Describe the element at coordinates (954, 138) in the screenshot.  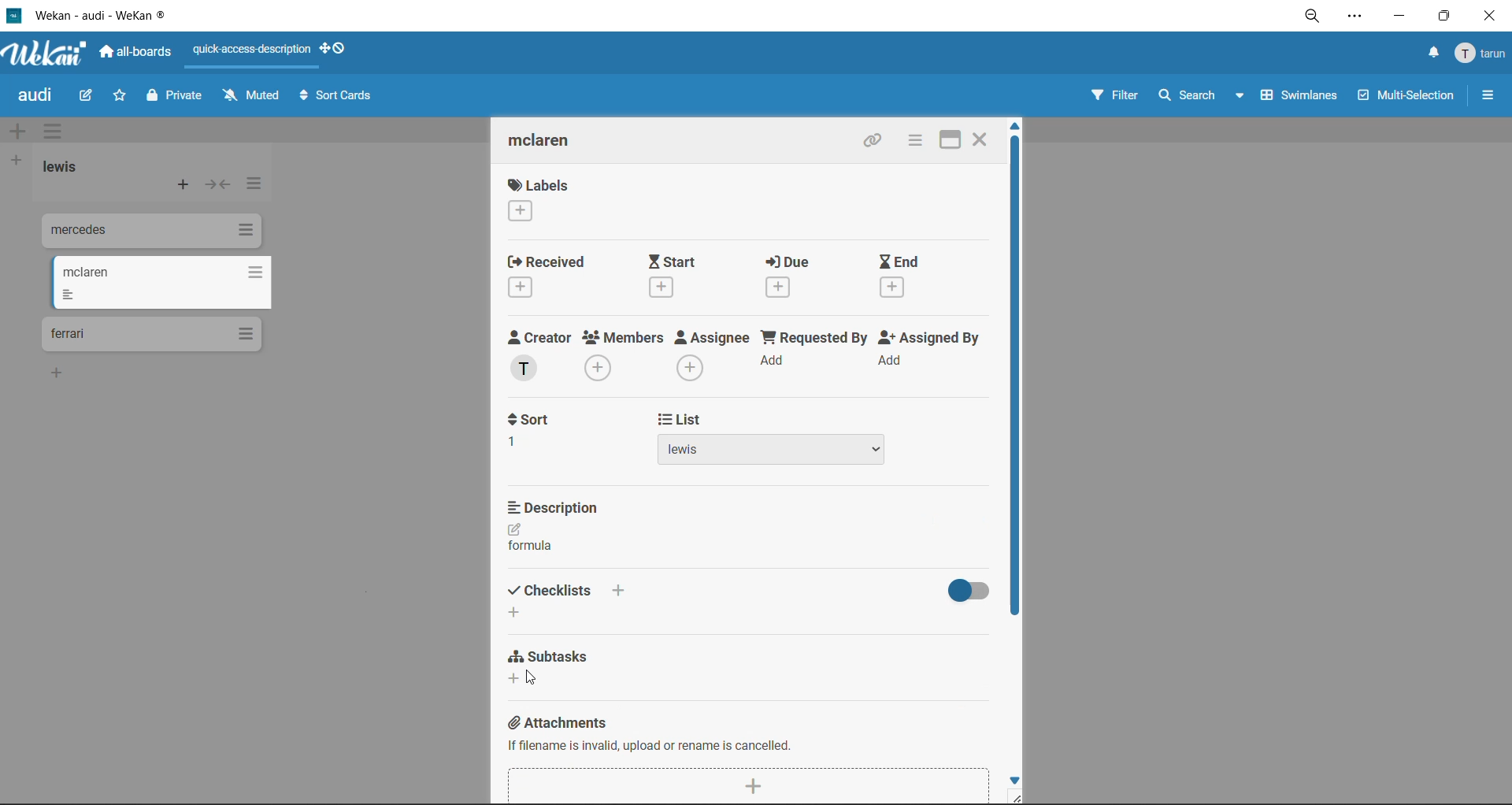
I see `maximize` at that location.